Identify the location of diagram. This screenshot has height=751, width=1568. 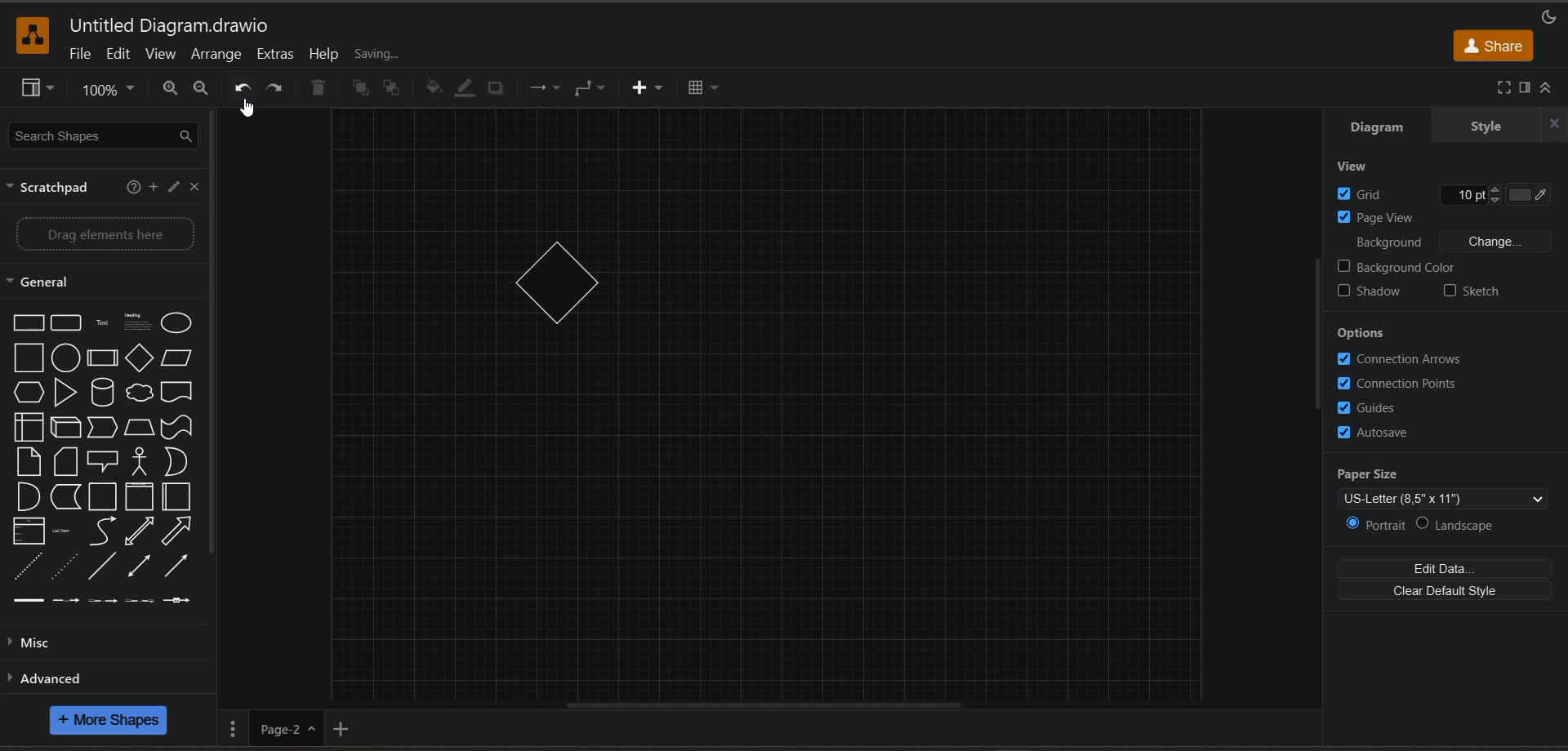
(1381, 128).